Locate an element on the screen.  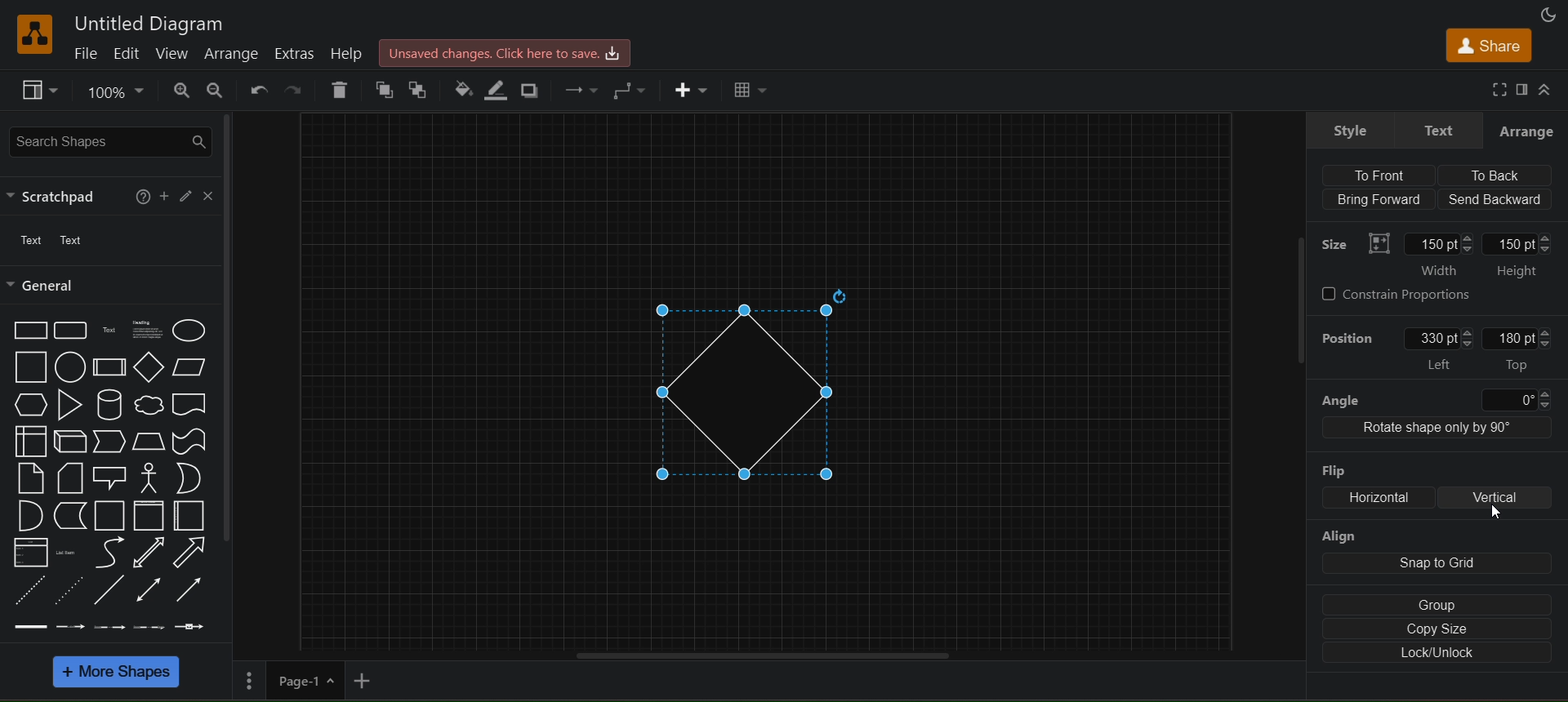
to back is located at coordinates (420, 88).